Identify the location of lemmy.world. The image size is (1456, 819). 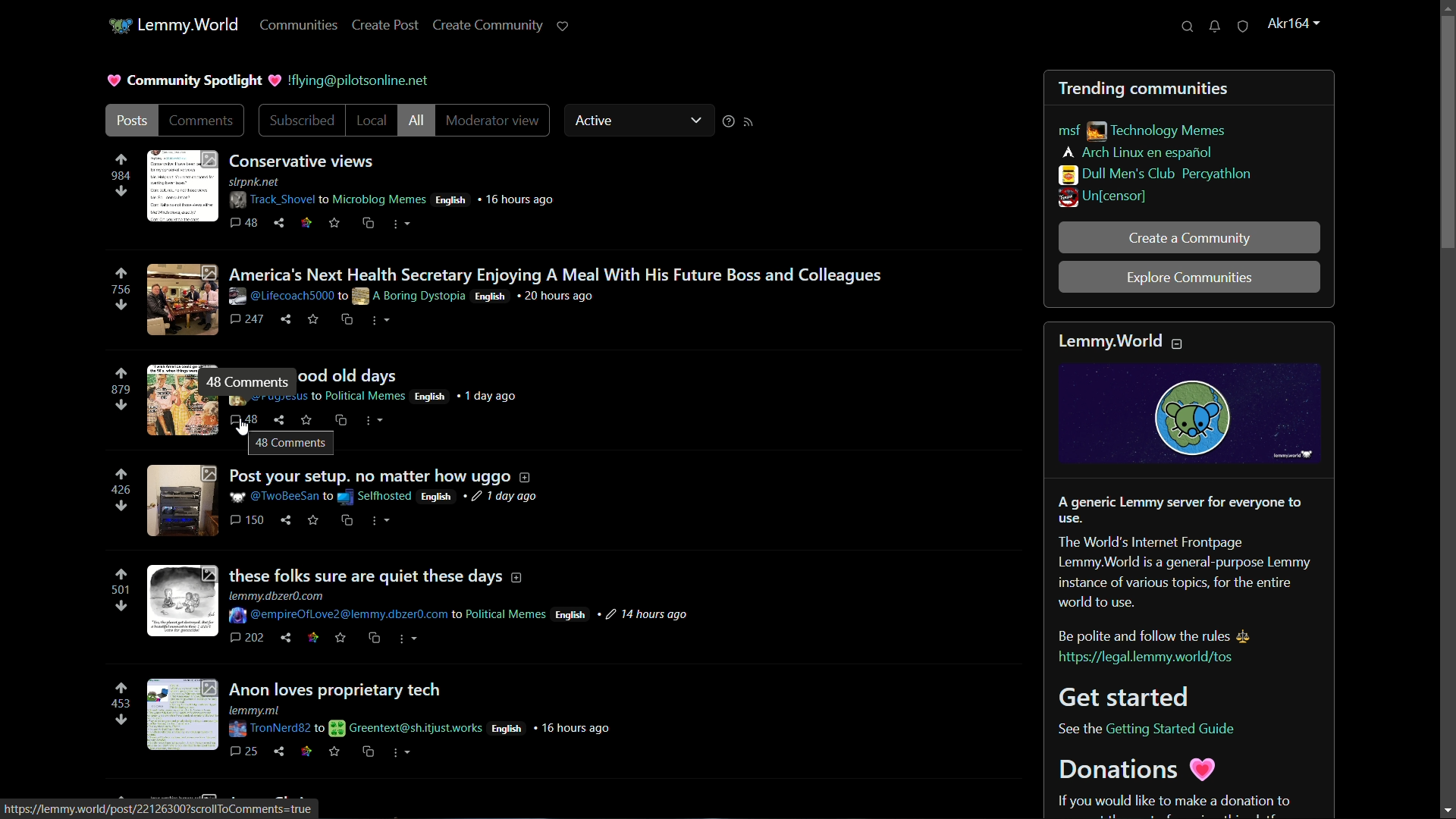
(189, 27).